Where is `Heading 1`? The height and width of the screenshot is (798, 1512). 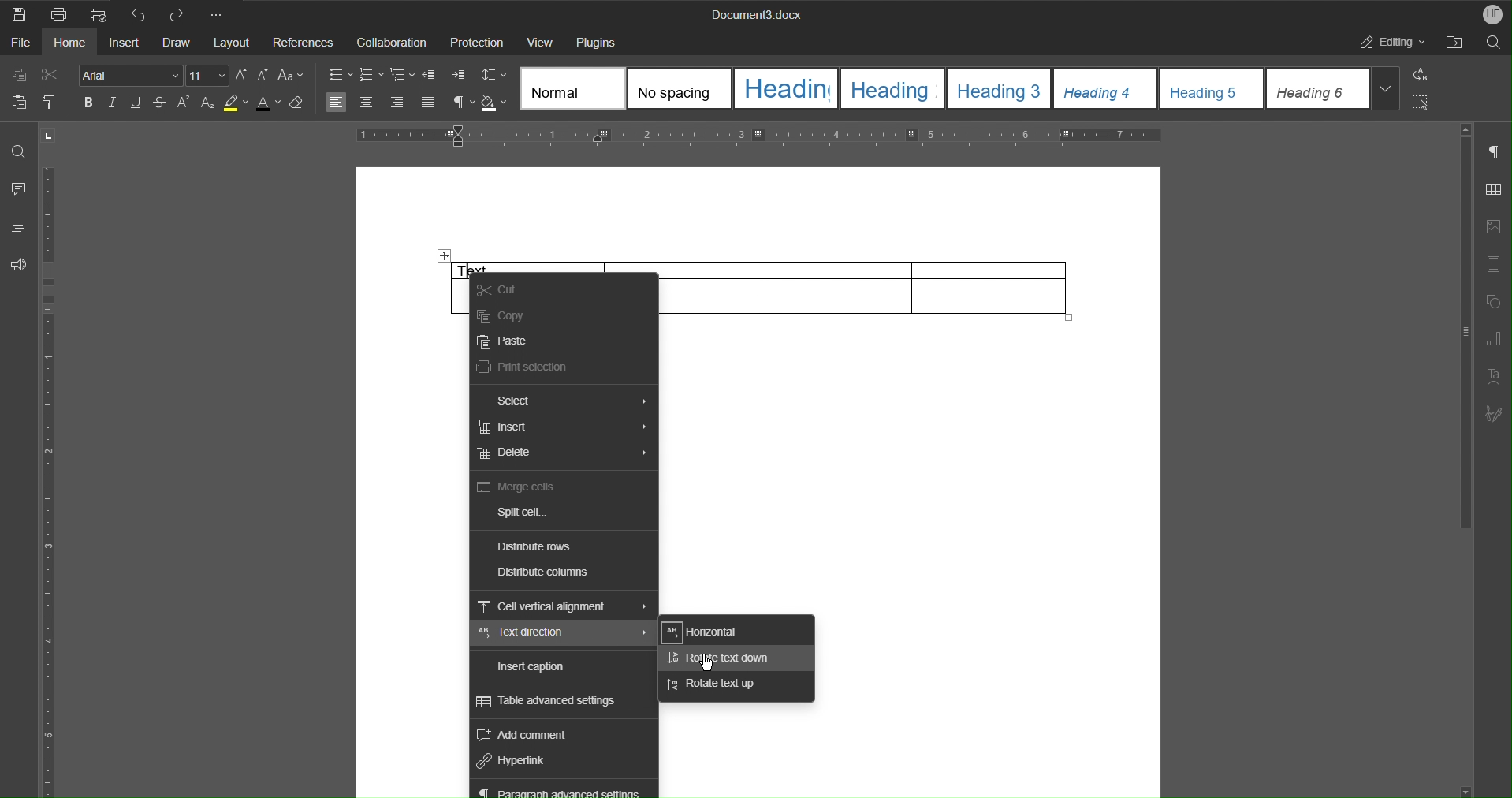
Heading 1 is located at coordinates (788, 89).